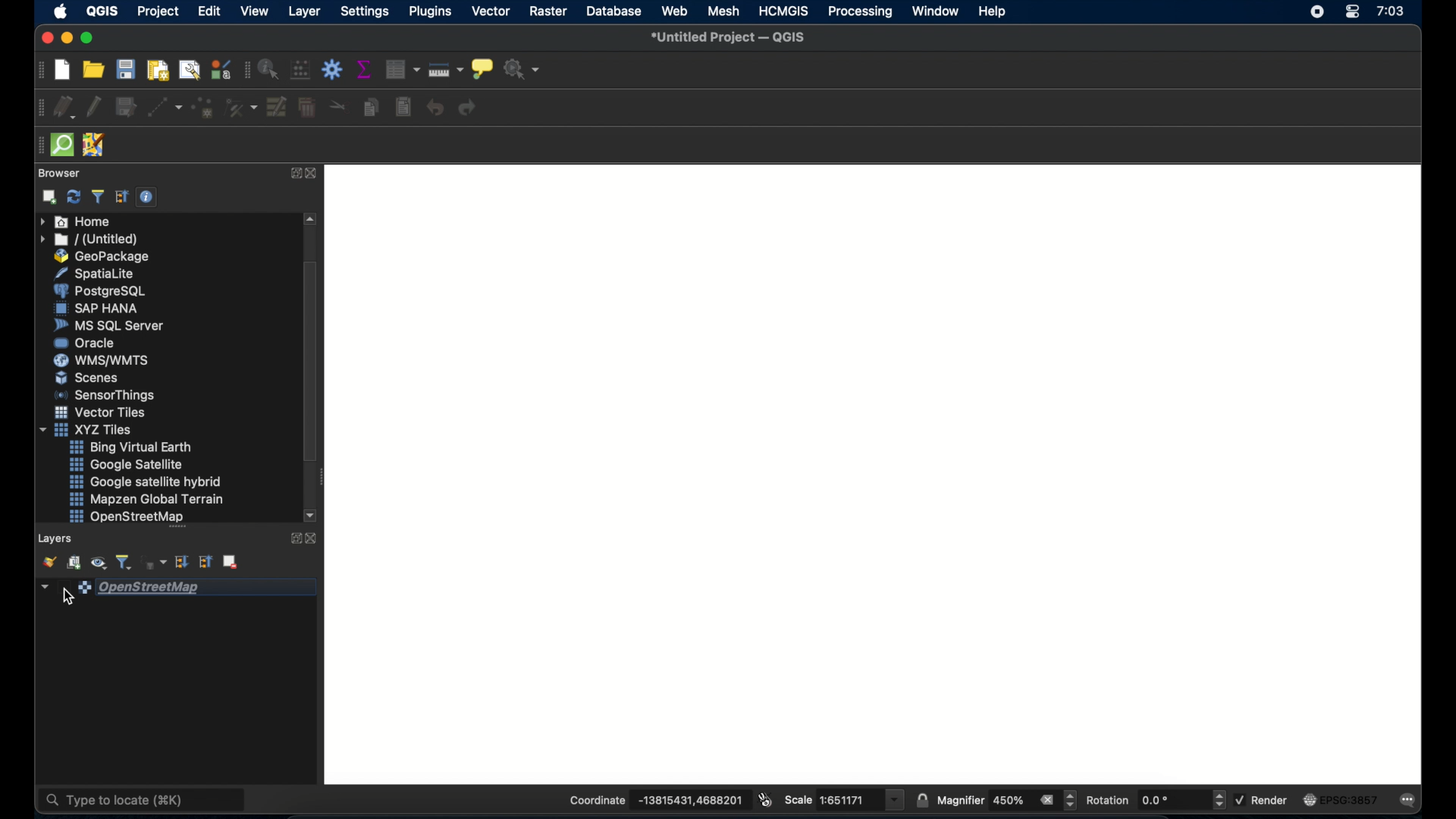 The height and width of the screenshot is (819, 1456). What do you see at coordinates (313, 540) in the screenshot?
I see `close` at bounding box center [313, 540].